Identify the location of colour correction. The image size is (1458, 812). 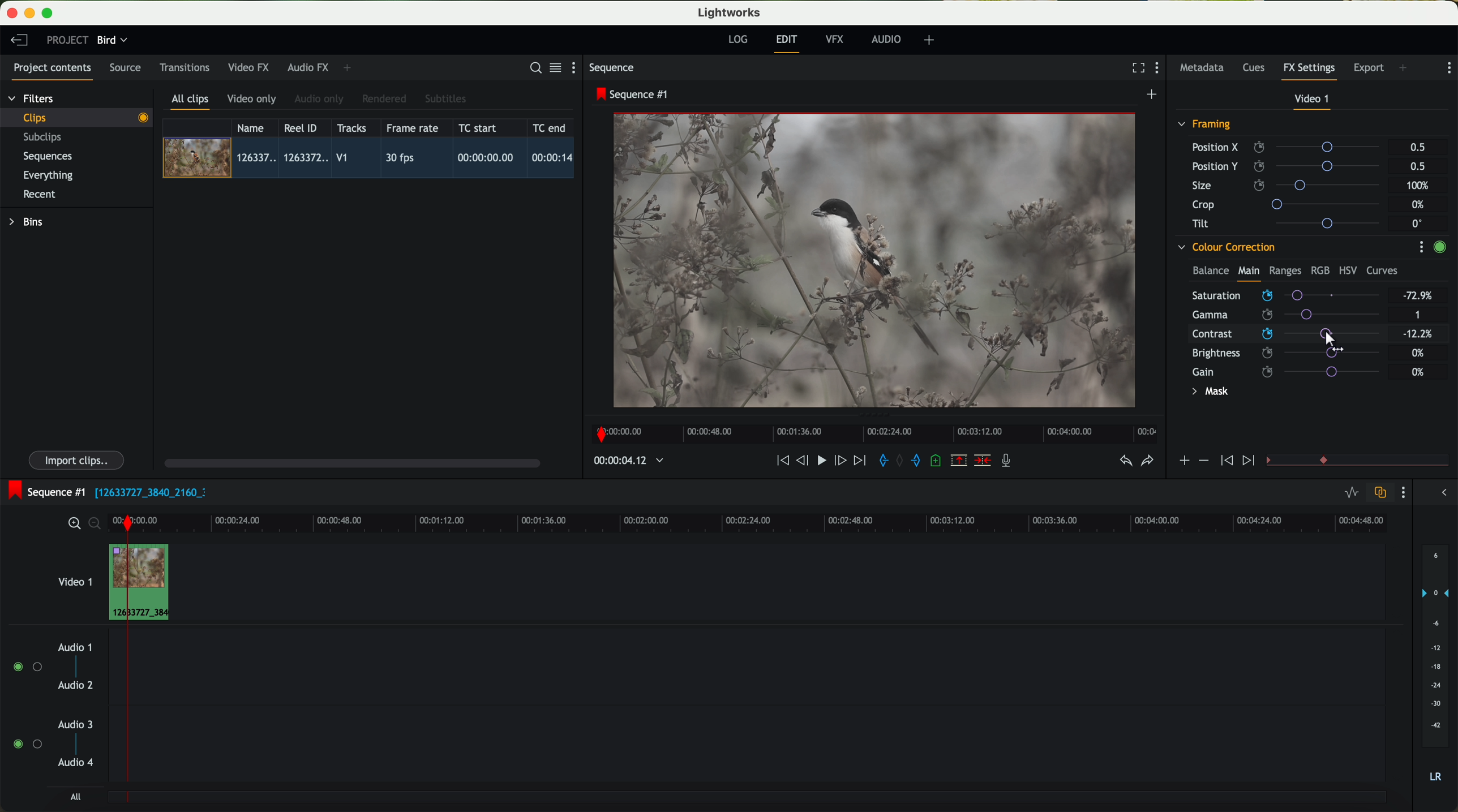
(1225, 247).